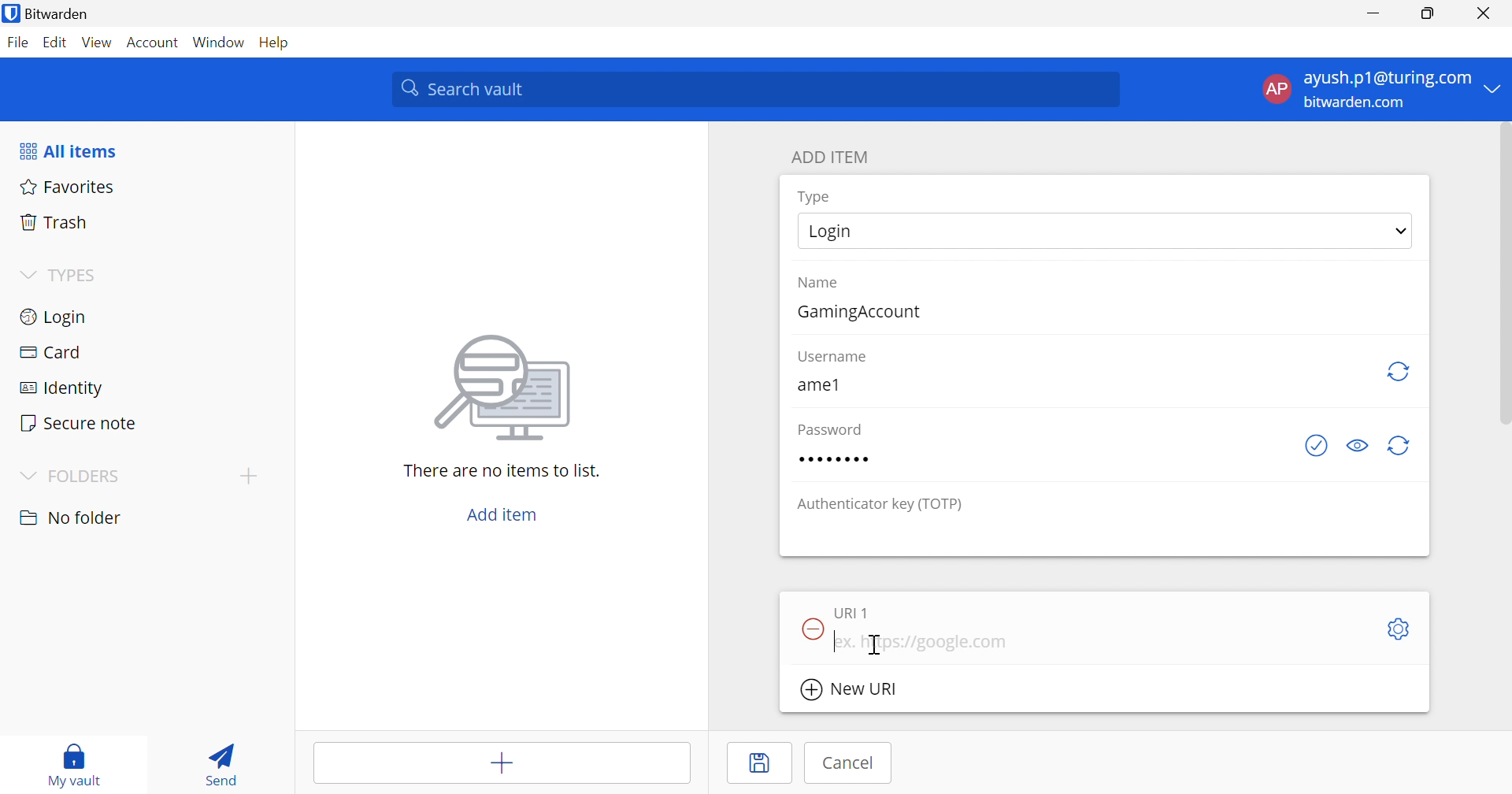  What do you see at coordinates (839, 461) in the screenshot?
I see `Password` at bounding box center [839, 461].